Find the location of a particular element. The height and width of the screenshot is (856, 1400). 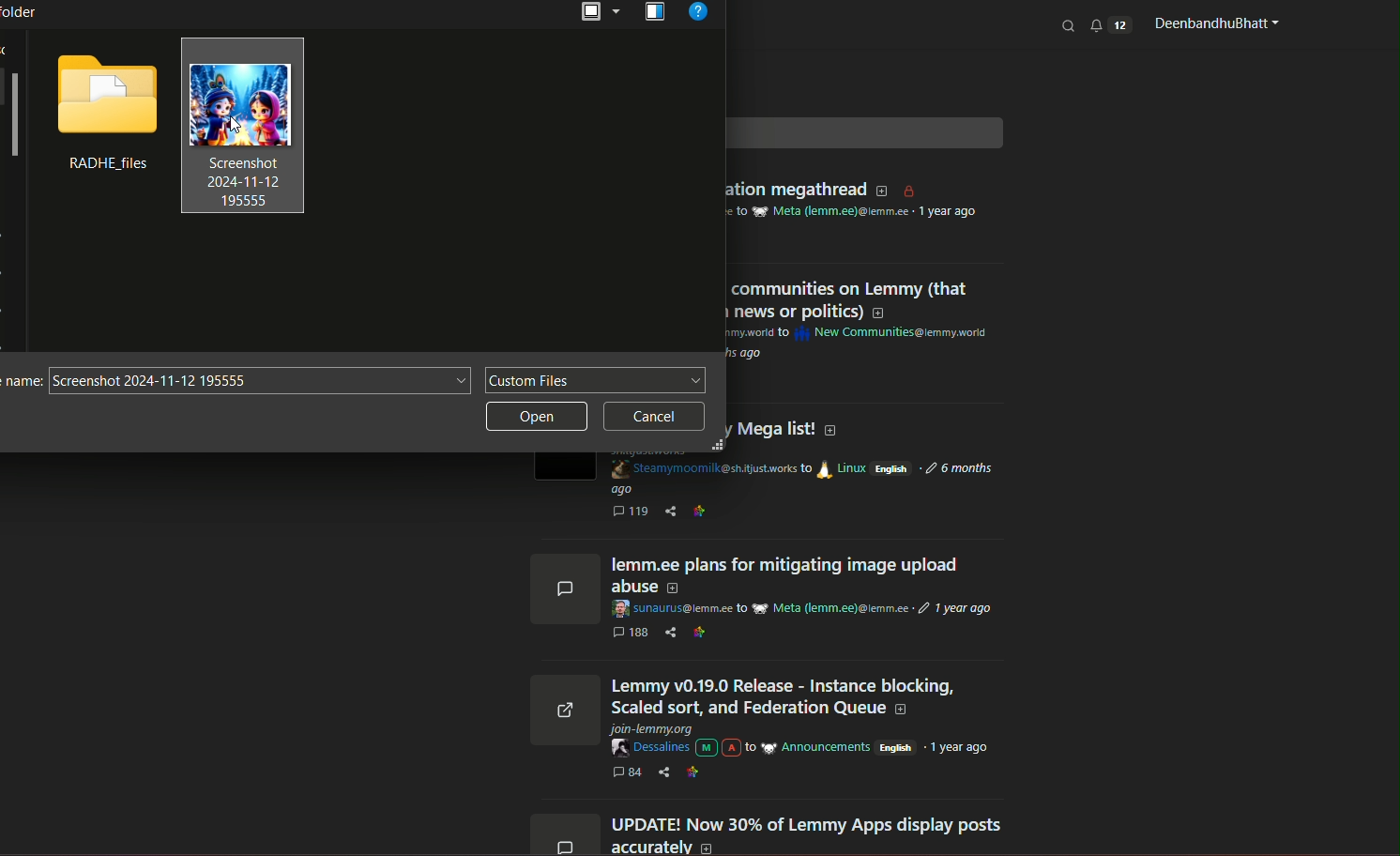

icons is located at coordinates (562, 701).